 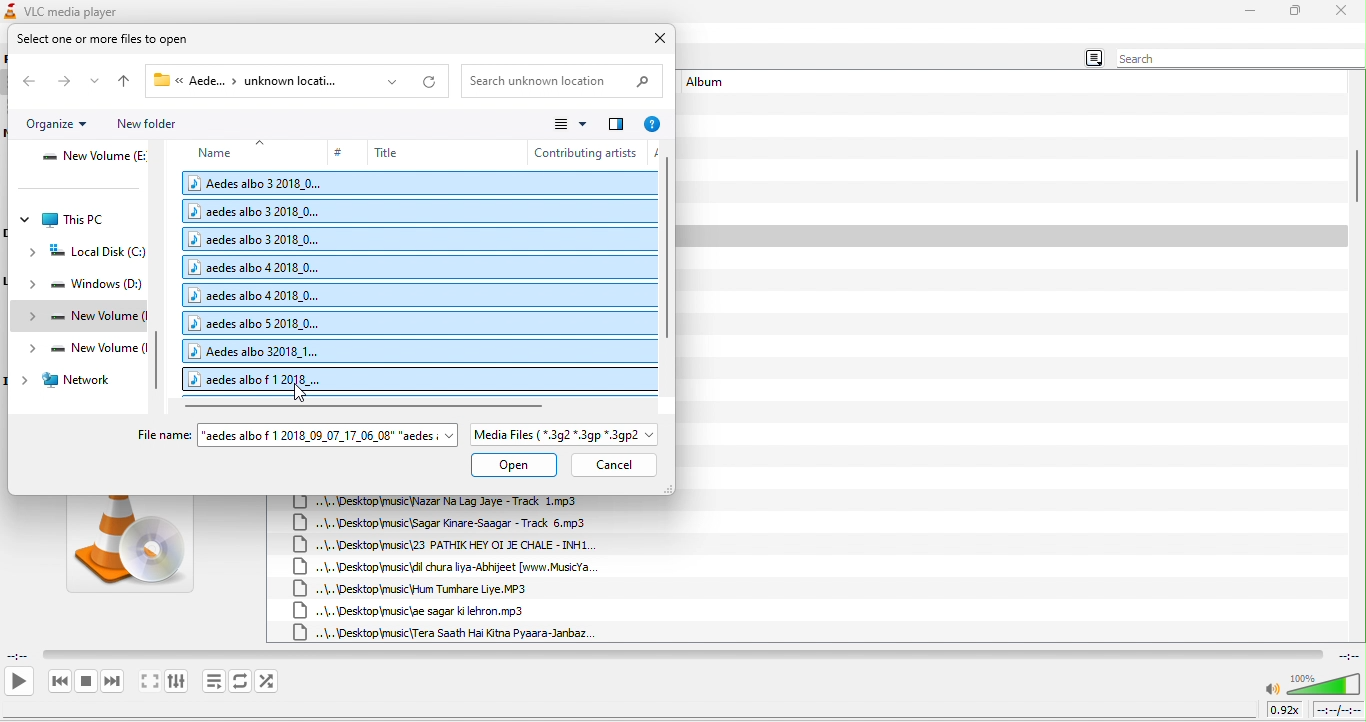 I want to click on next media, so click(x=113, y=683).